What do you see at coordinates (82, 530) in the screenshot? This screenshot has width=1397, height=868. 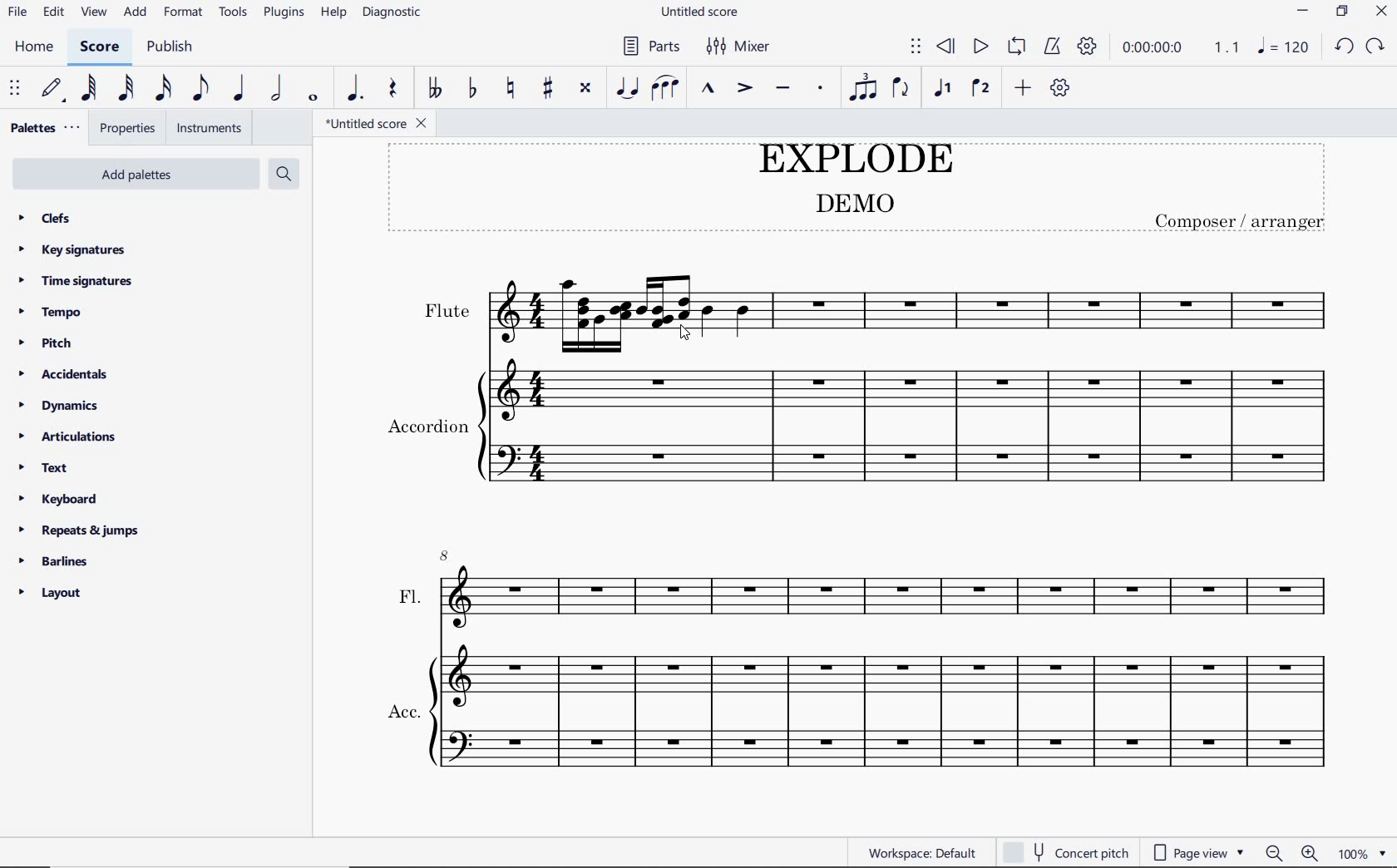 I see `repeats & jumps` at bounding box center [82, 530].